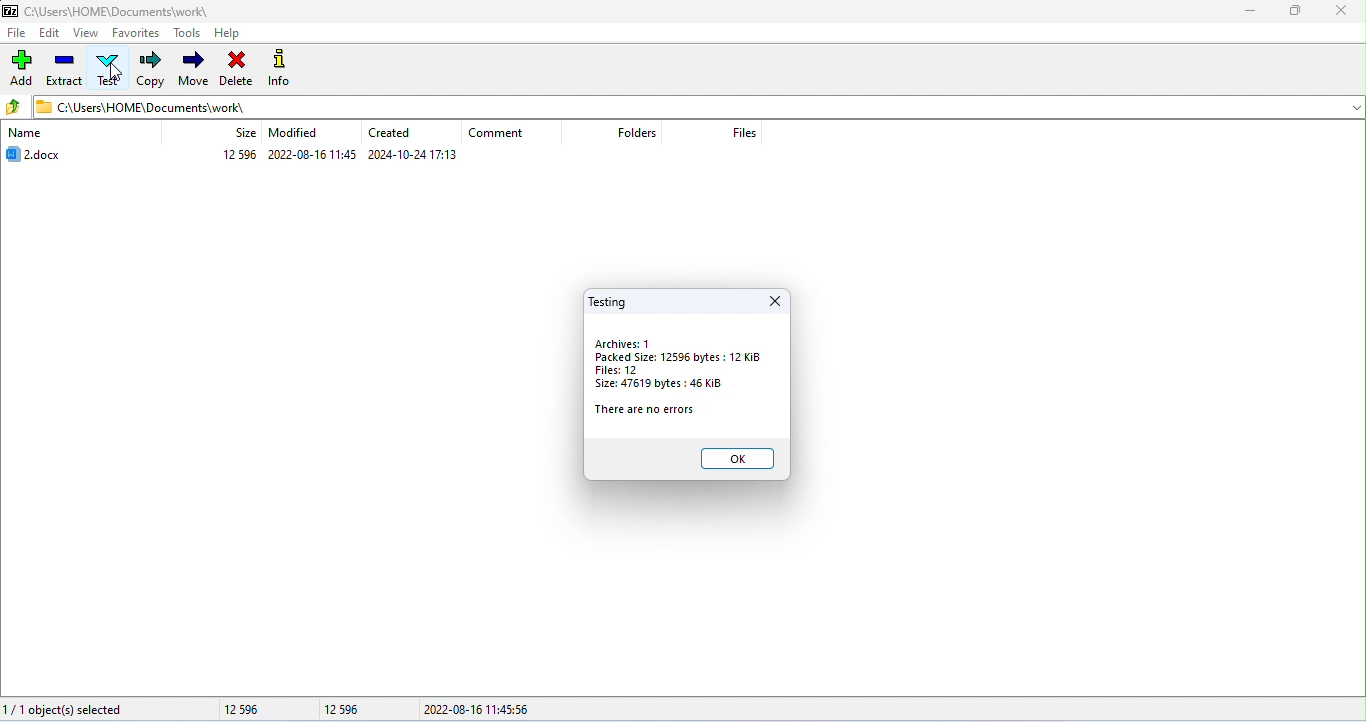 The image size is (1366, 722). Describe the element at coordinates (737, 457) in the screenshot. I see `Ok` at that location.